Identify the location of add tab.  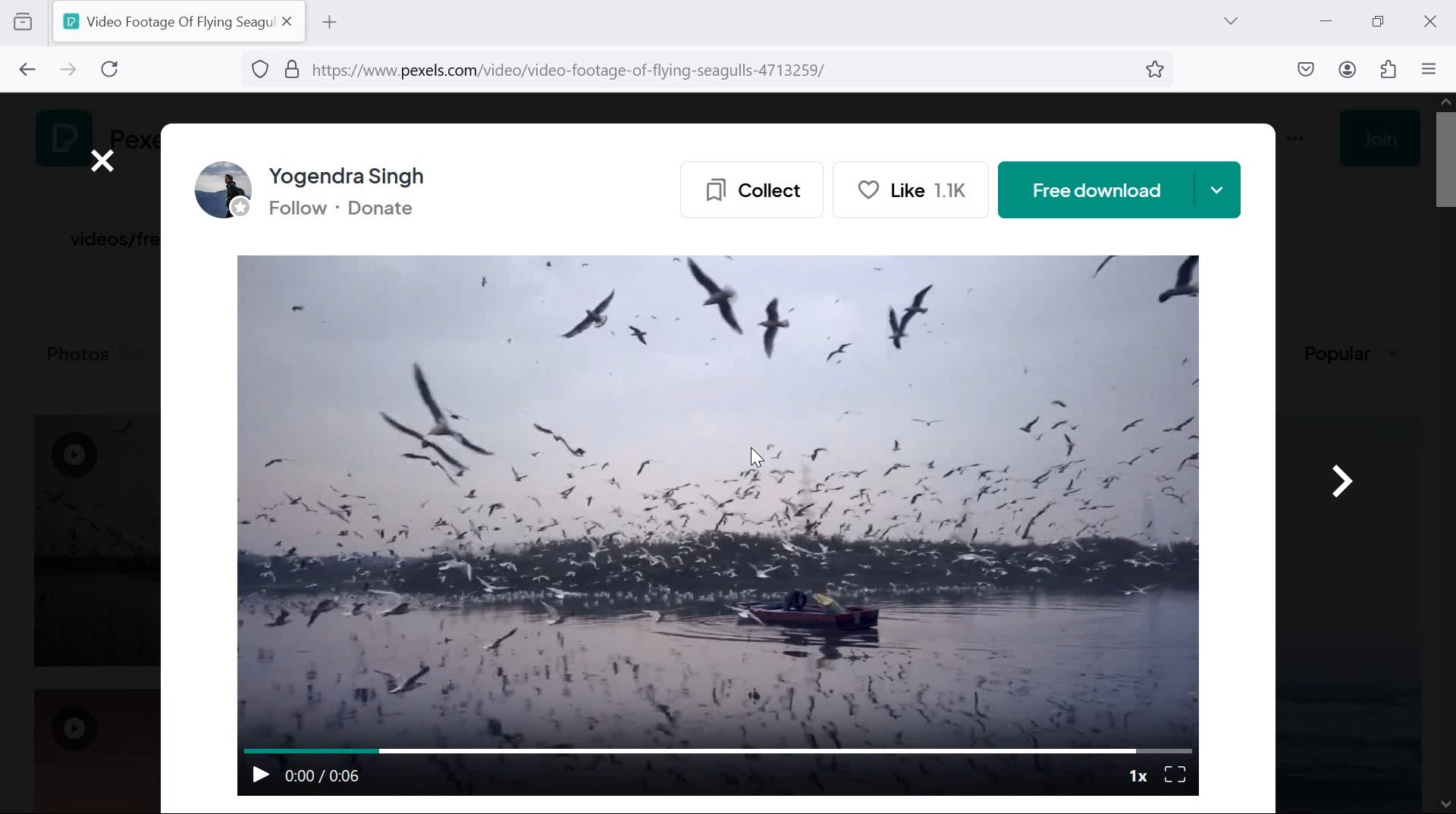
(329, 22).